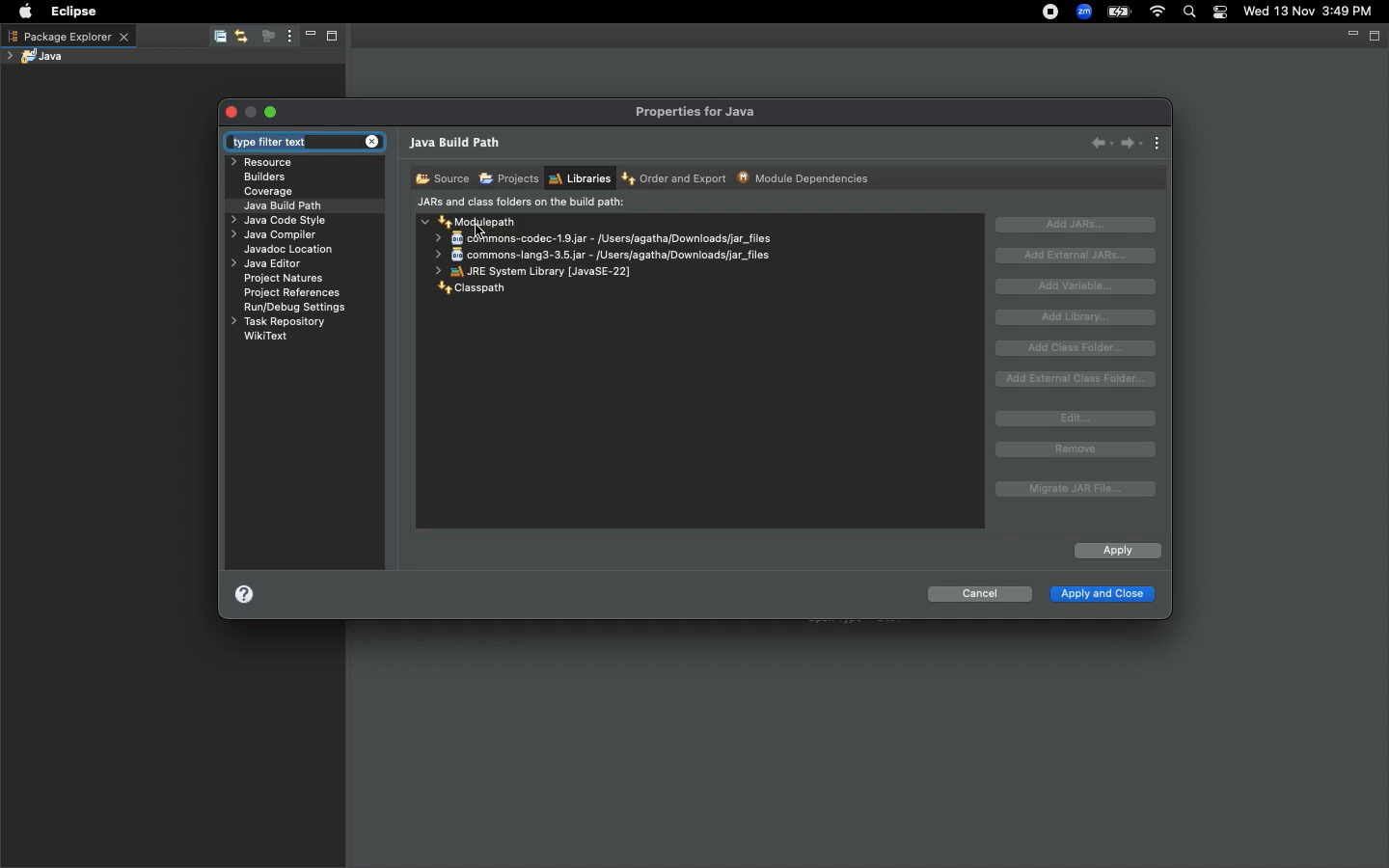 This screenshot has height=868, width=1389. What do you see at coordinates (1076, 225) in the screenshot?
I see `Add JARs` at bounding box center [1076, 225].